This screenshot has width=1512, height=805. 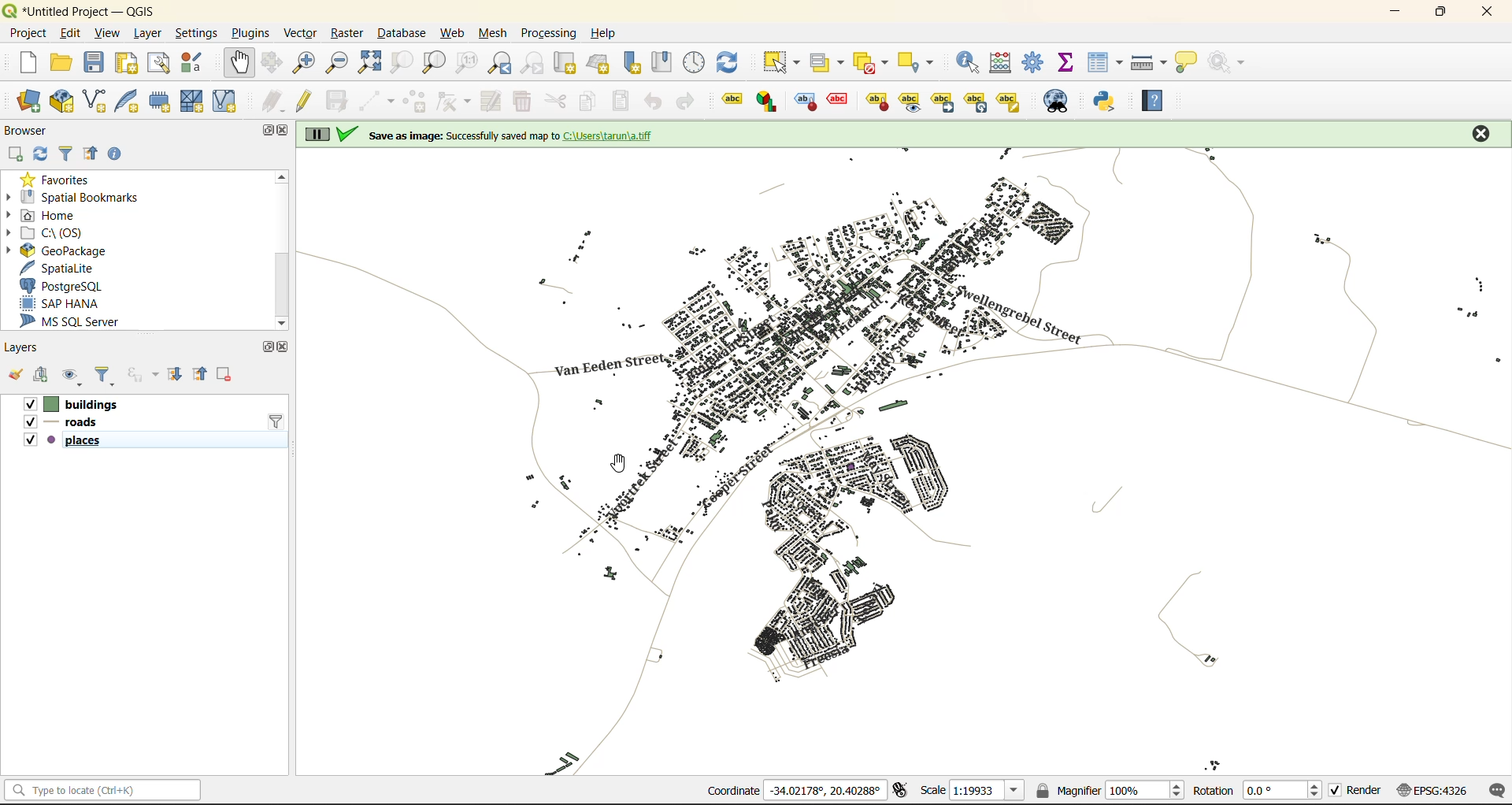 I want to click on spatialite, so click(x=61, y=267).